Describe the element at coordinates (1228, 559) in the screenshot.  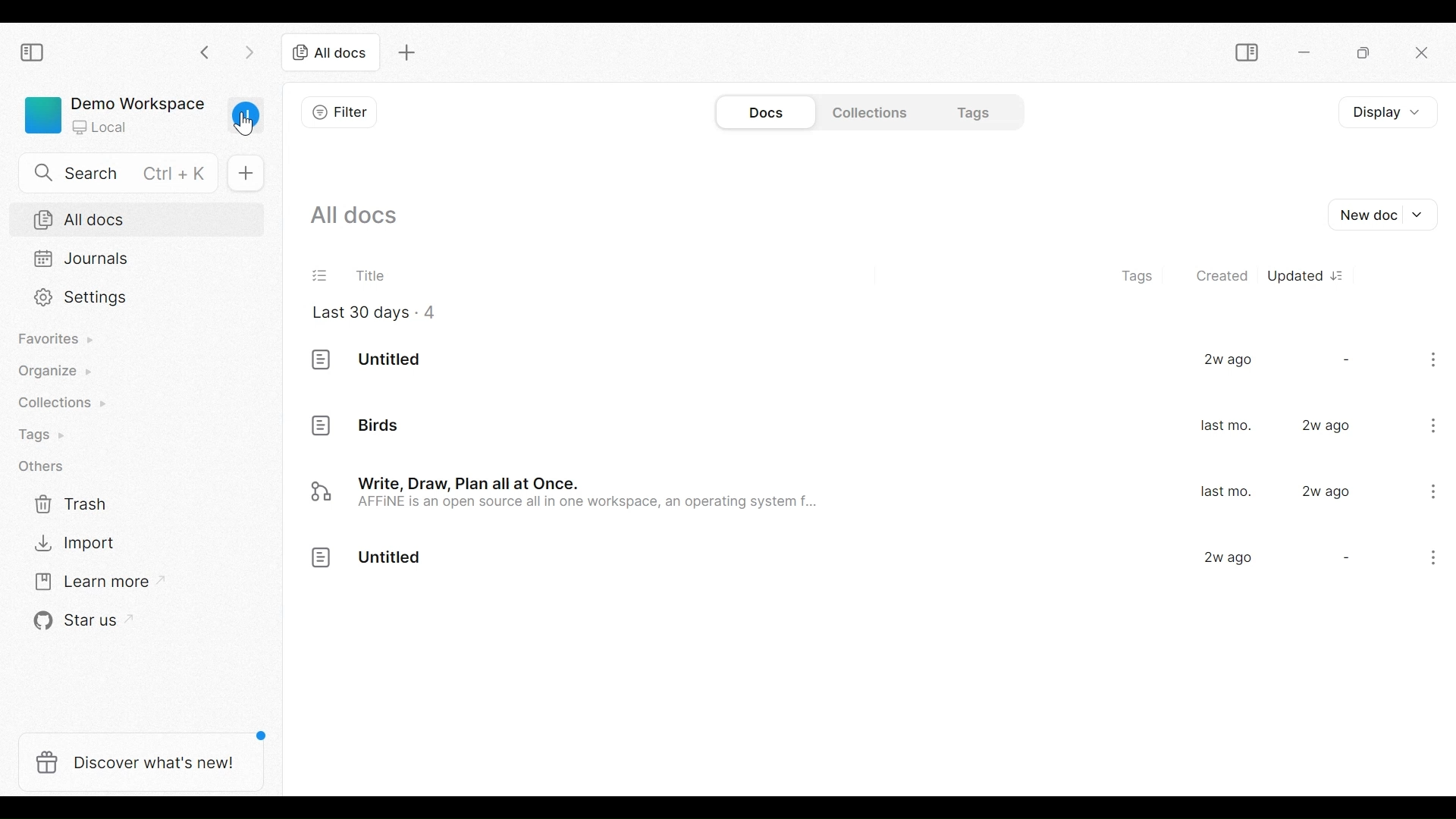
I see `2w ago` at that location.